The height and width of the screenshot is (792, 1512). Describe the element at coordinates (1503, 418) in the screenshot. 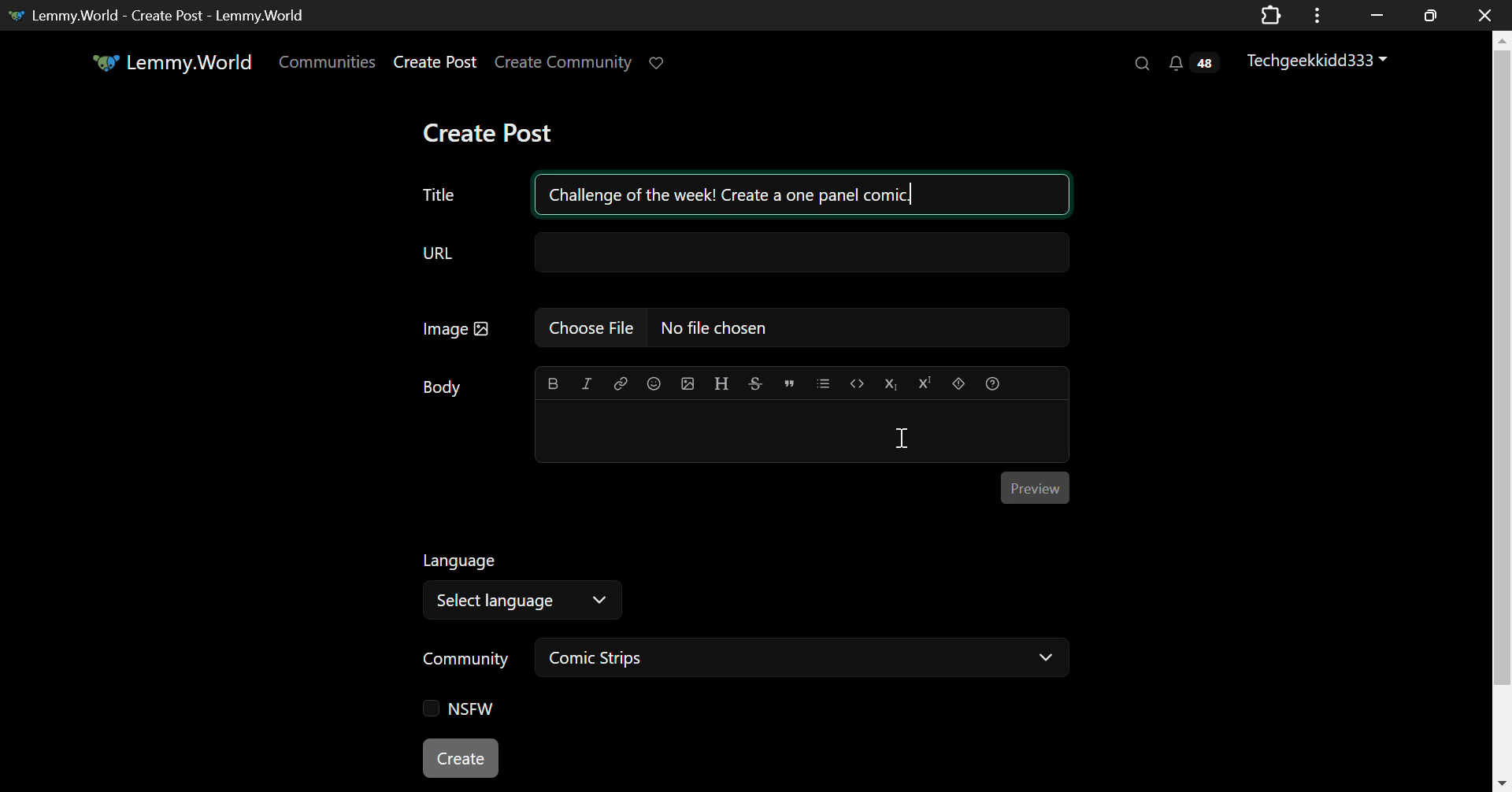

I see `Vertical Scroll Bar` at that location.